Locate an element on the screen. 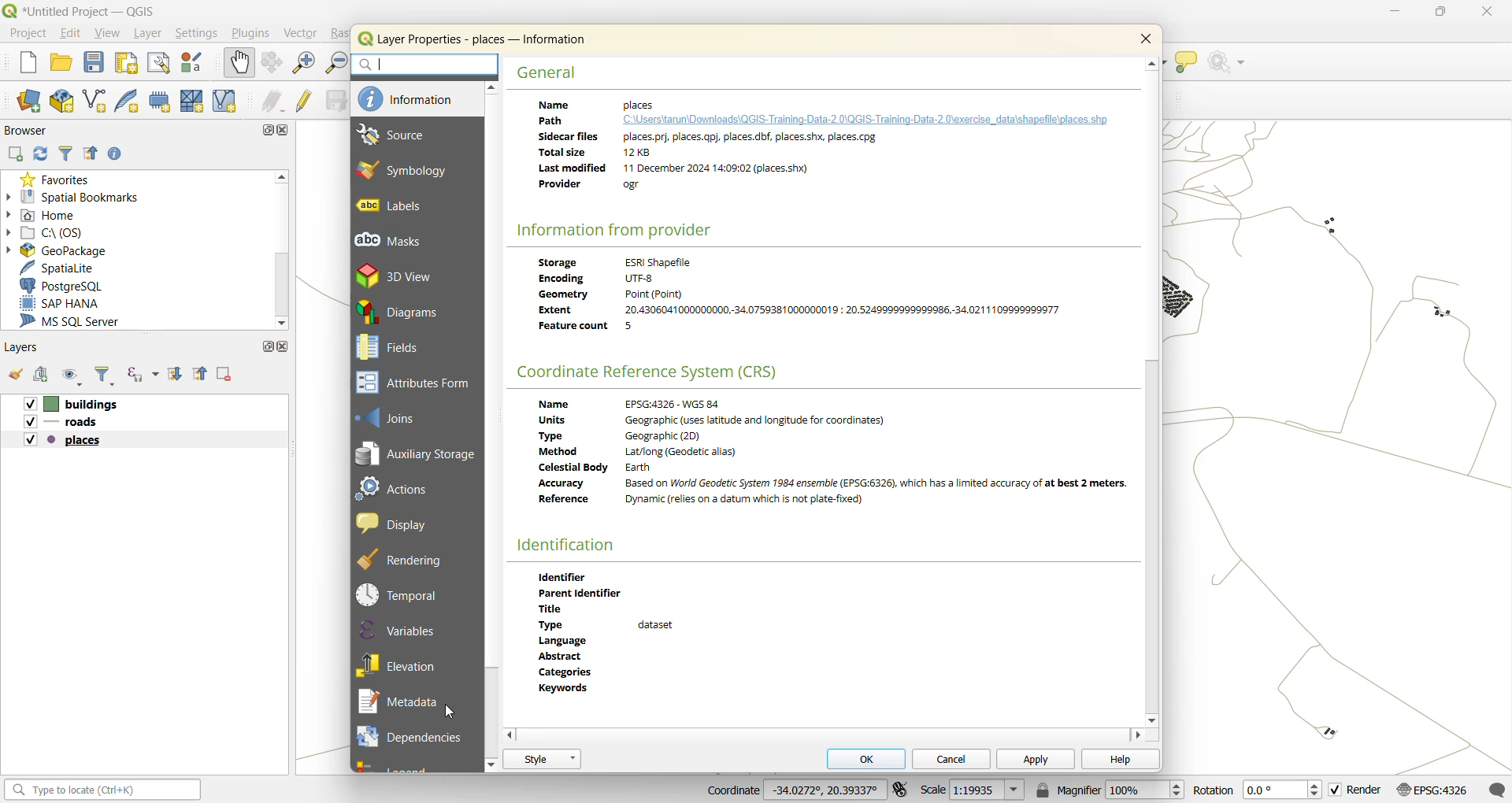 This screenshot has height=803, width=1512. filter is located at coordinates (103, 376).